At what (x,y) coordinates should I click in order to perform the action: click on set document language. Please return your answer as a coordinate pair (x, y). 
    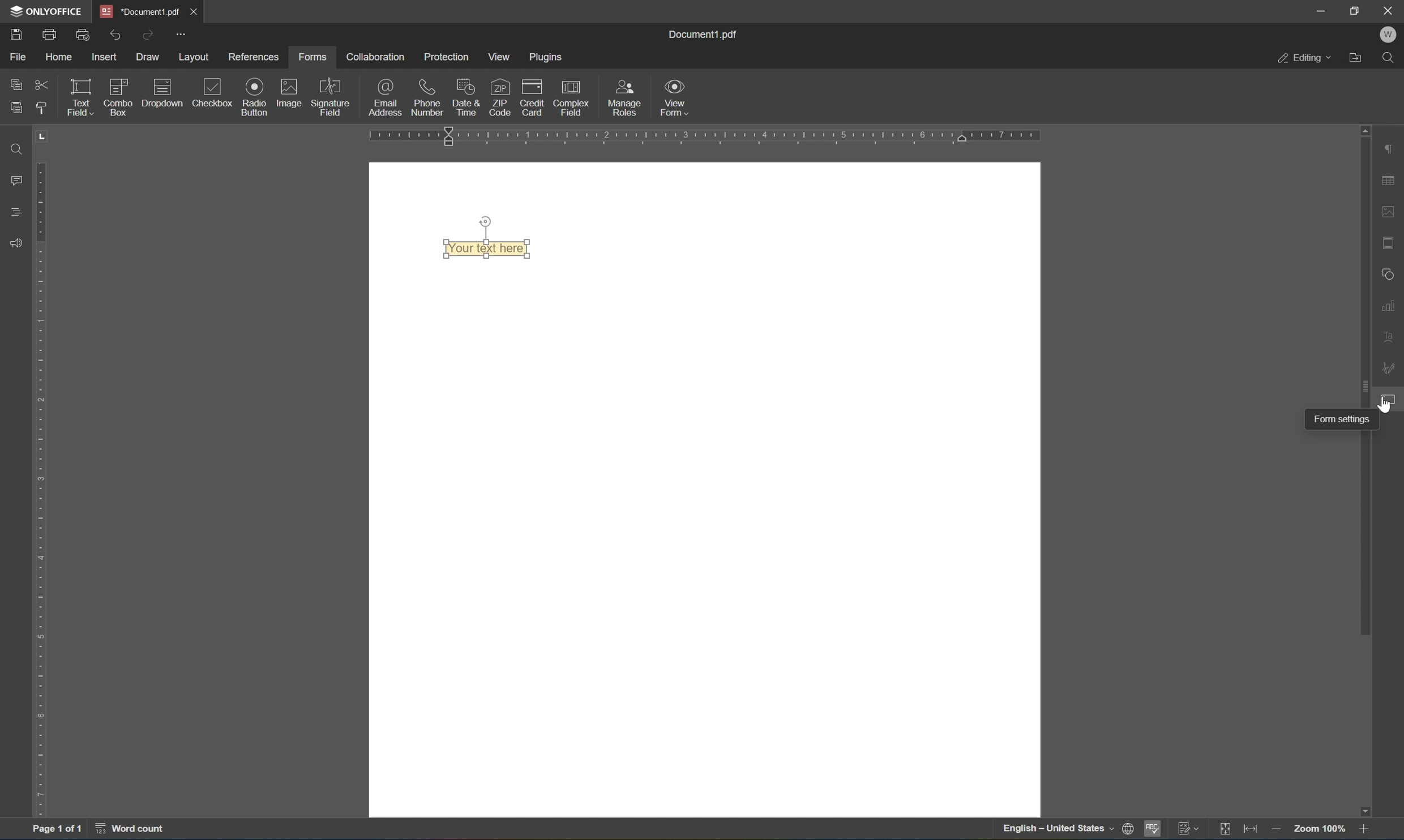
    Looking at the image, I should click on (1067, 830).